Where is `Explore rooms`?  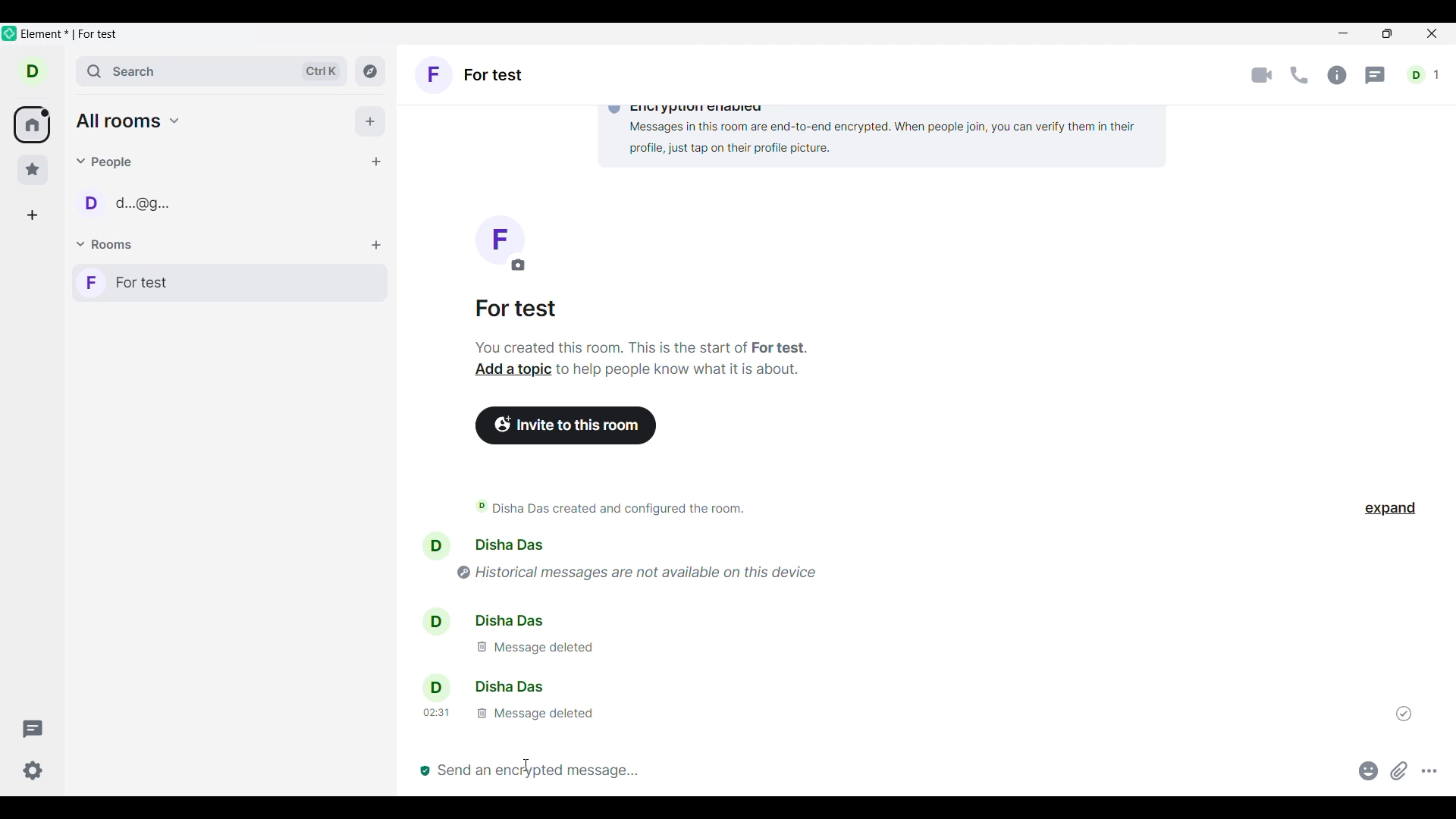 Explore rooms is located at coordinates (370, 71).